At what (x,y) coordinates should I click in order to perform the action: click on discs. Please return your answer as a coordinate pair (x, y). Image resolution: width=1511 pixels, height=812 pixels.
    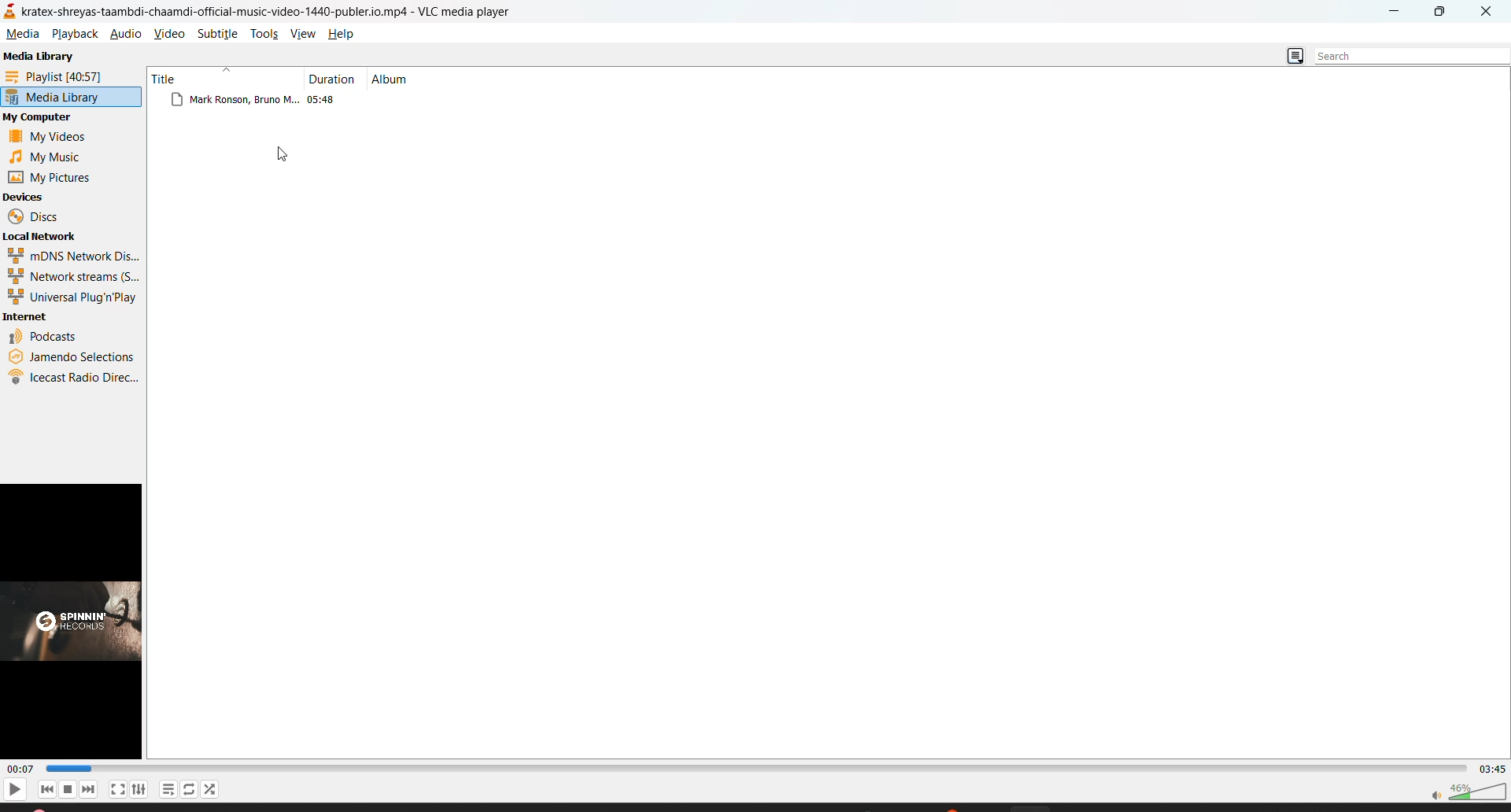
    Looking at the image, I should click on (36, 217).